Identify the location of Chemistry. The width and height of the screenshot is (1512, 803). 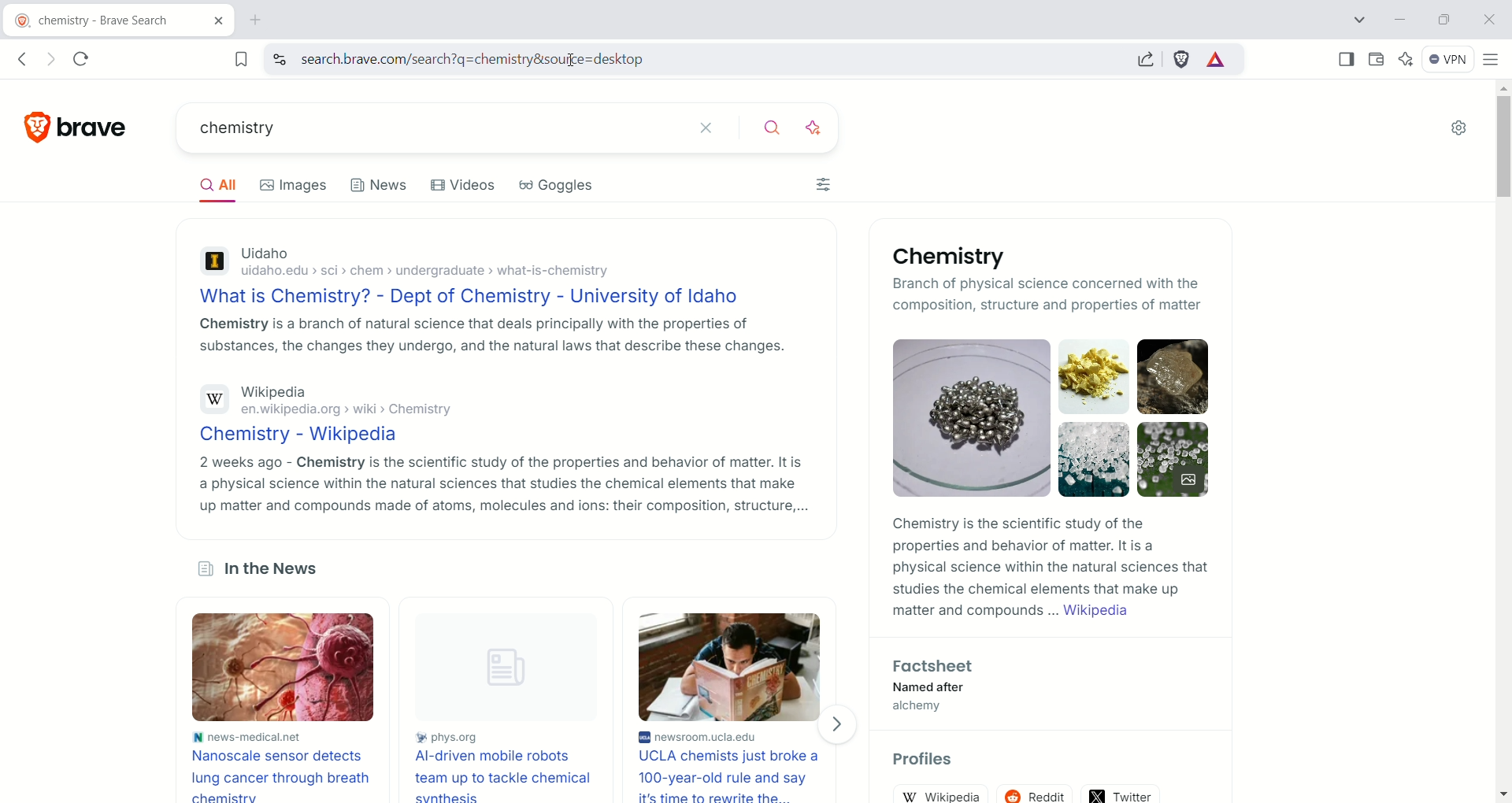
(955, 257).